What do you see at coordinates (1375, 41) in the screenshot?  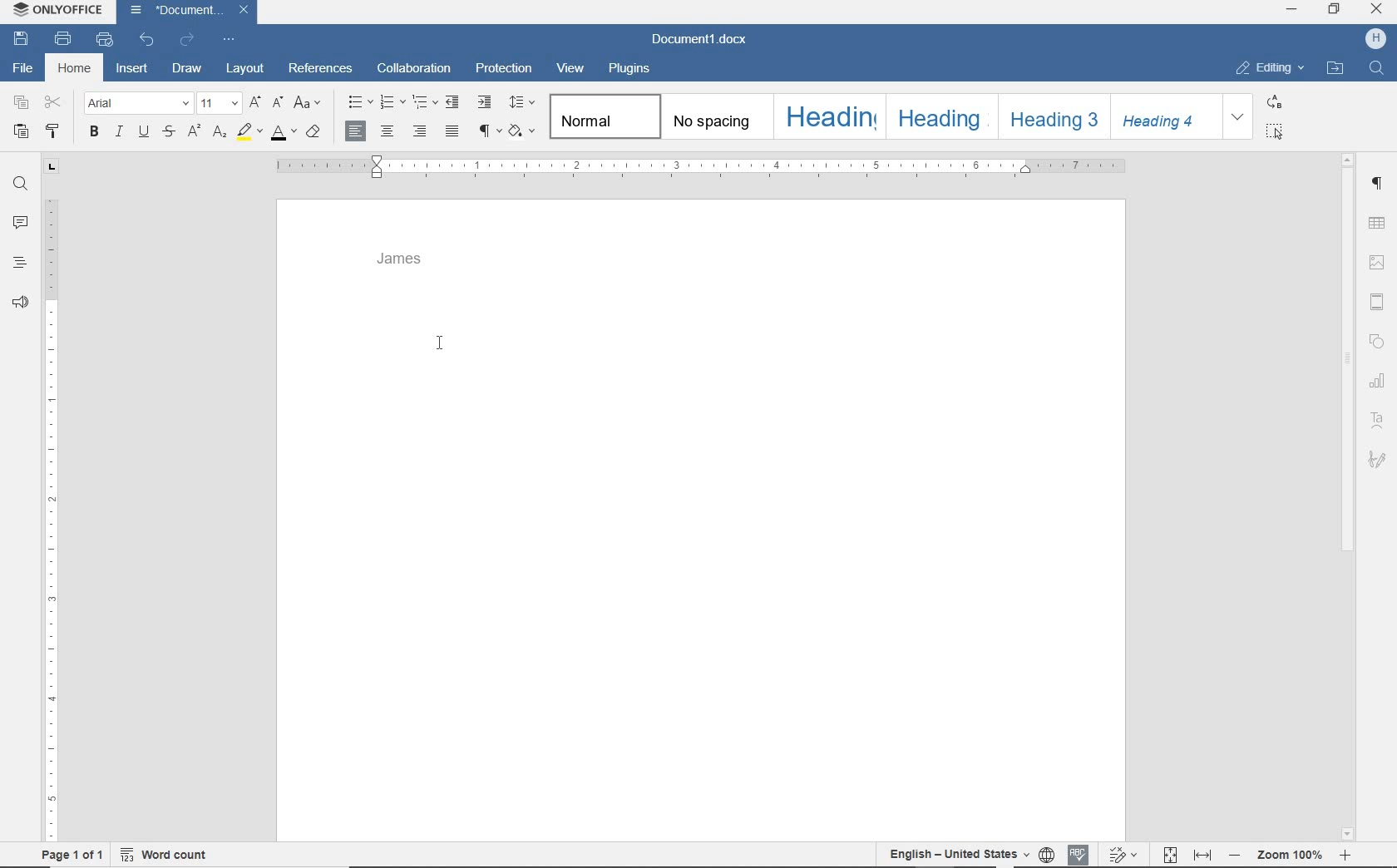 I see `profile` at bounding box center [1375, 41].